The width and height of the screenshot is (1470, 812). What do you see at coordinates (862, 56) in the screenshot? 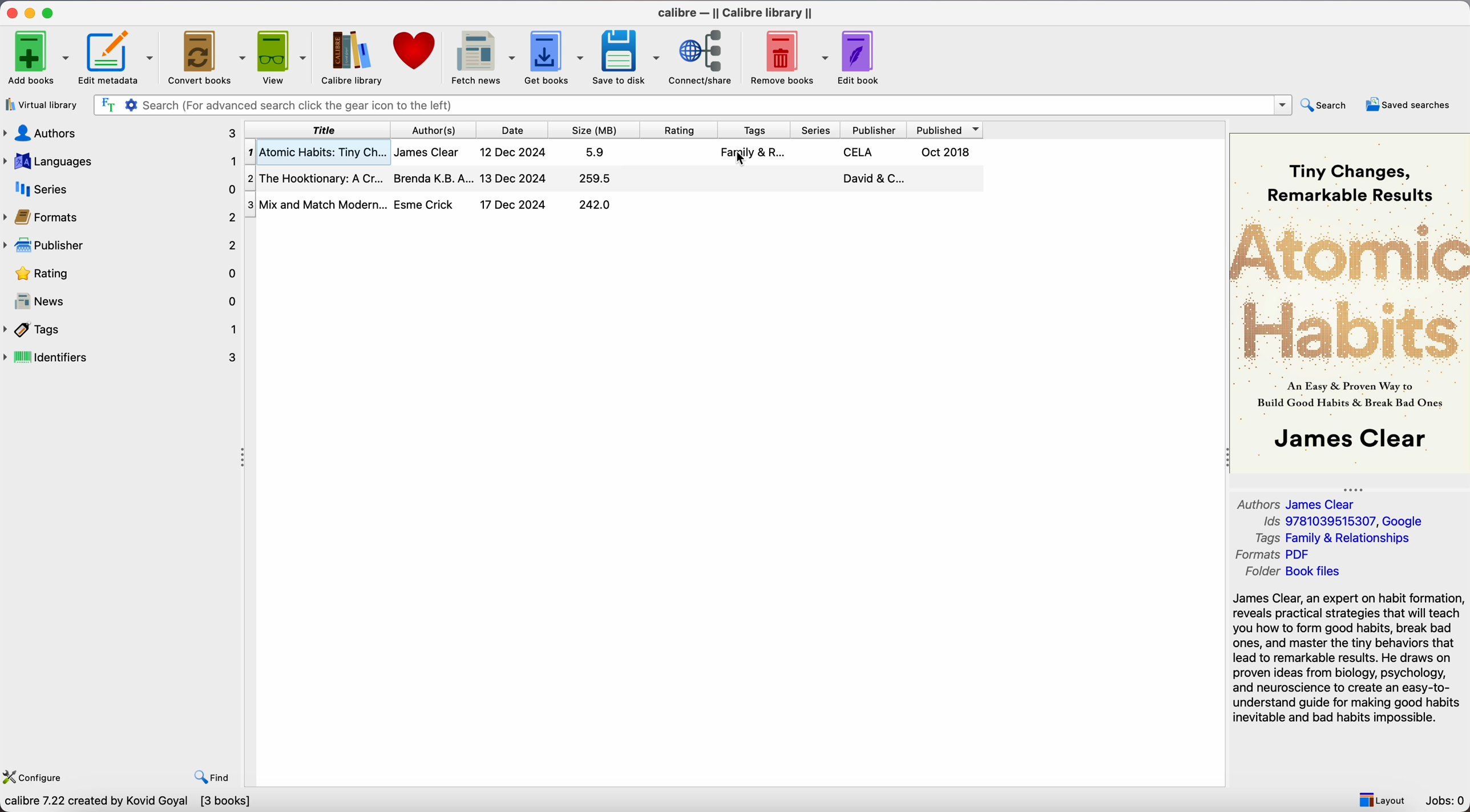
I see `edit book` at bounding box center [862, 56].